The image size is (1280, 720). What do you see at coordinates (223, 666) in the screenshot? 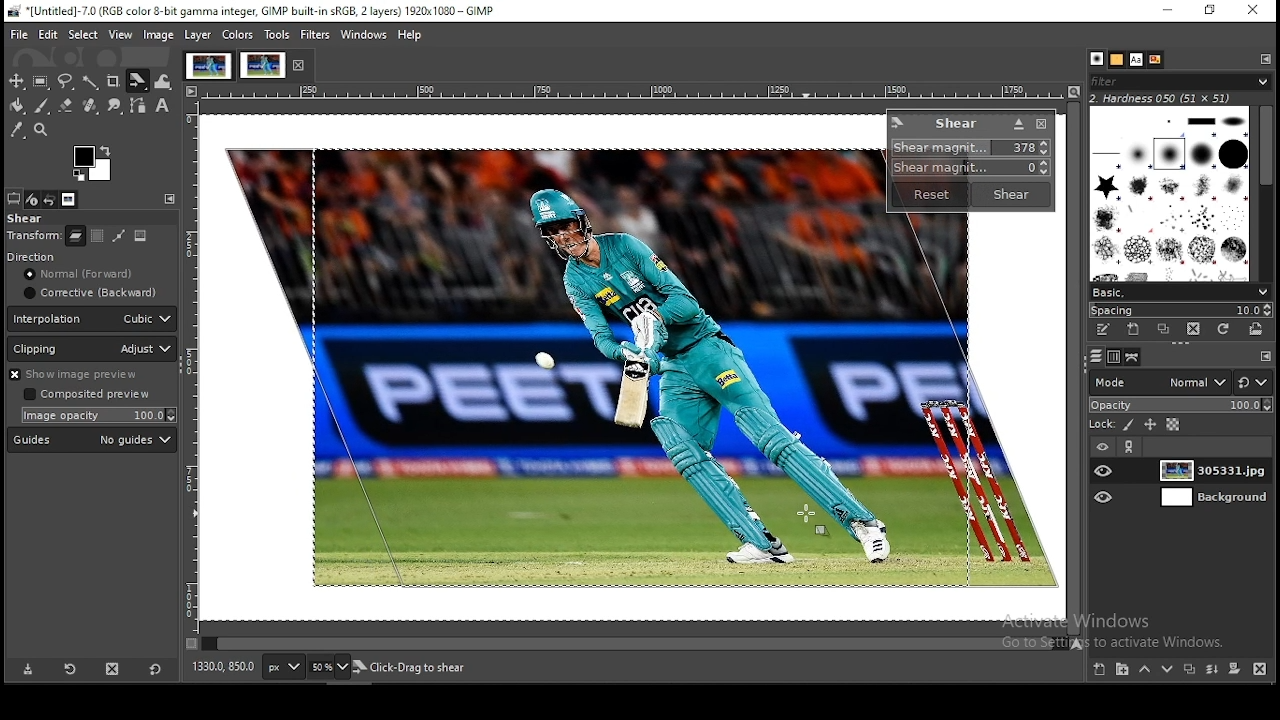
I see `576.0, 236.0` at bounding box center [223, 666].